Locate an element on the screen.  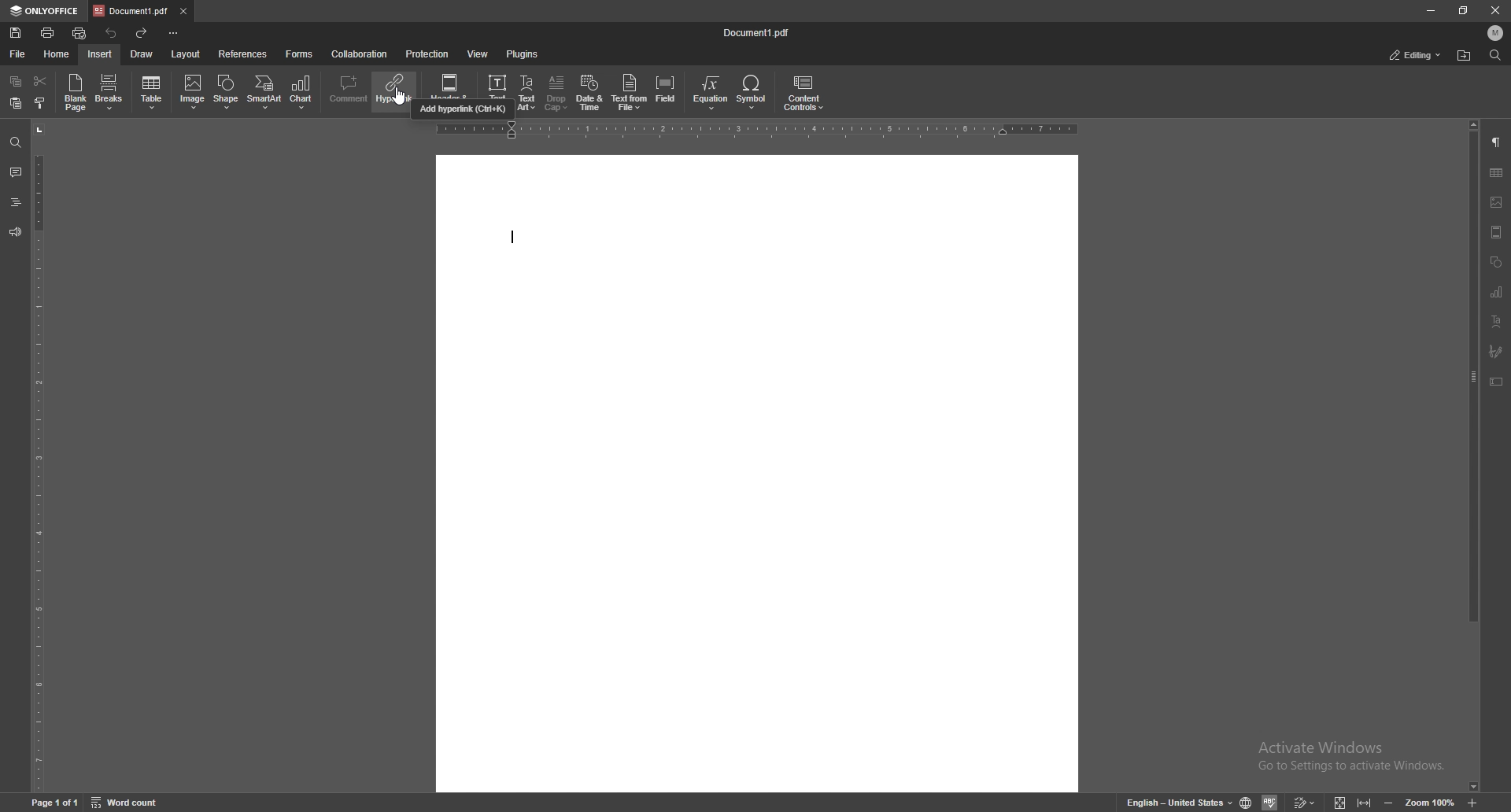
profile is located at coordinates (1496, 32).